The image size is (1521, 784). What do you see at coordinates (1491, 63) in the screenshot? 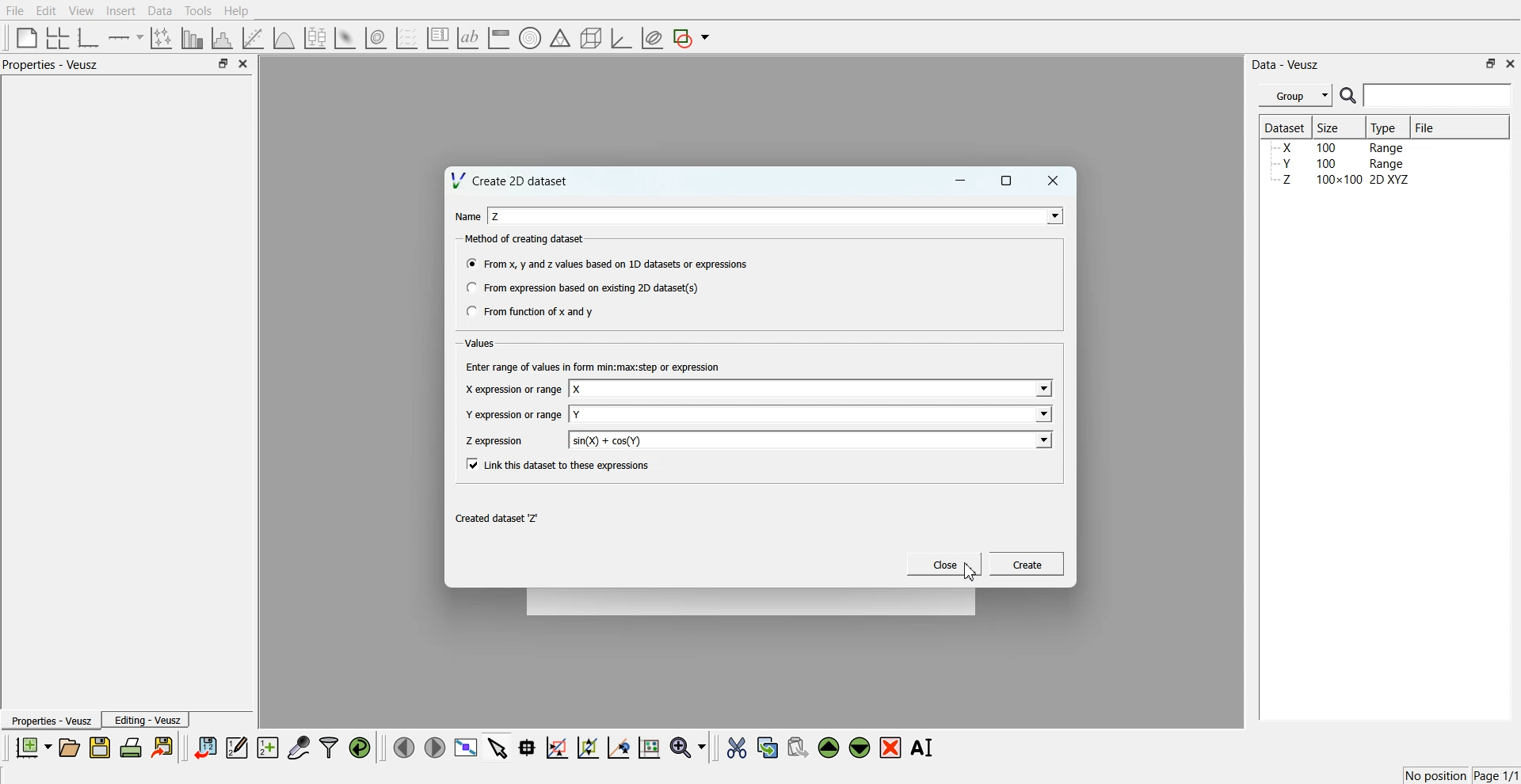
I see `Maximize` at bounding box center [1491, 63].